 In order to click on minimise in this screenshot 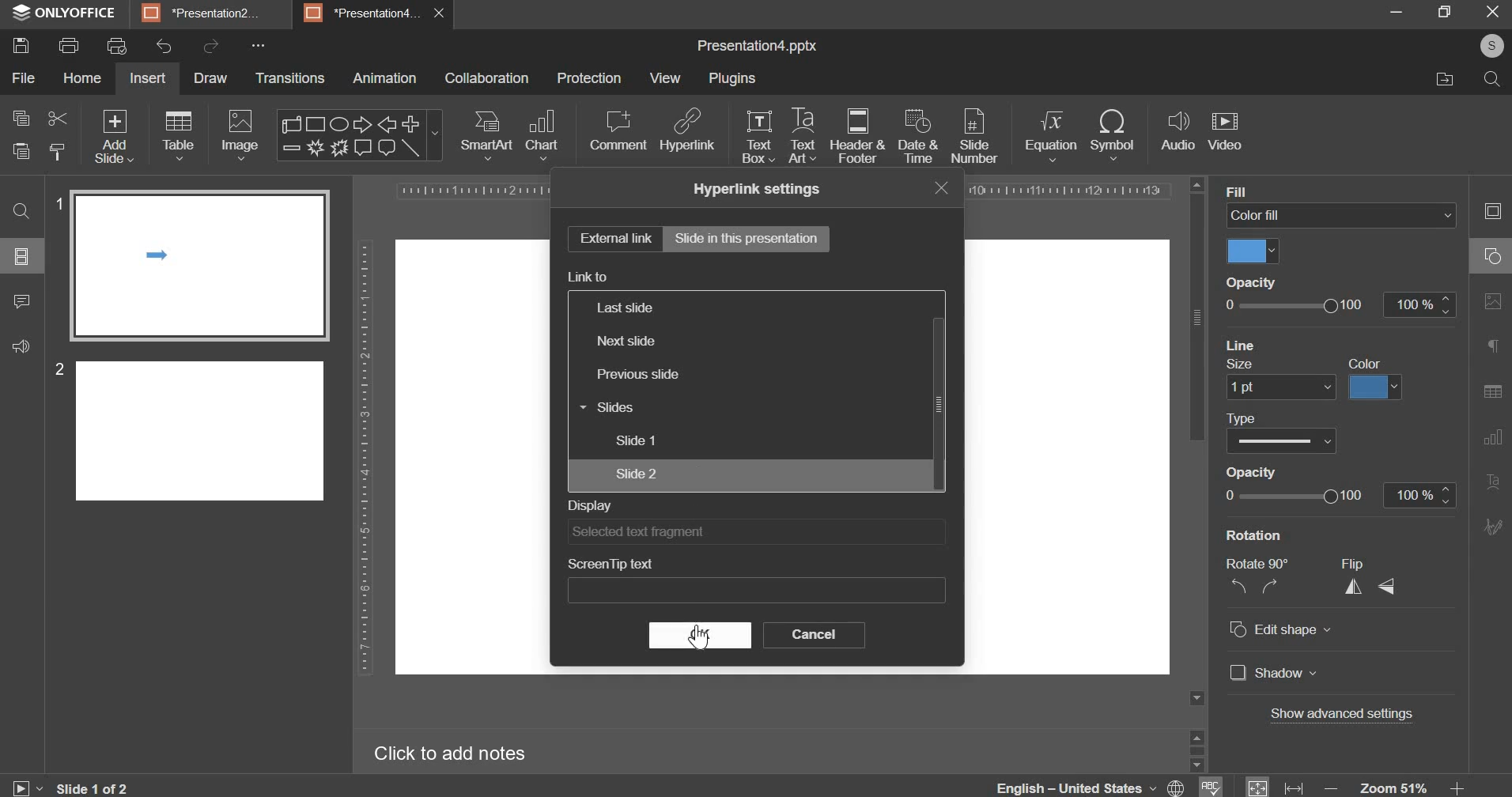, I will do `click(1384, 12)`.